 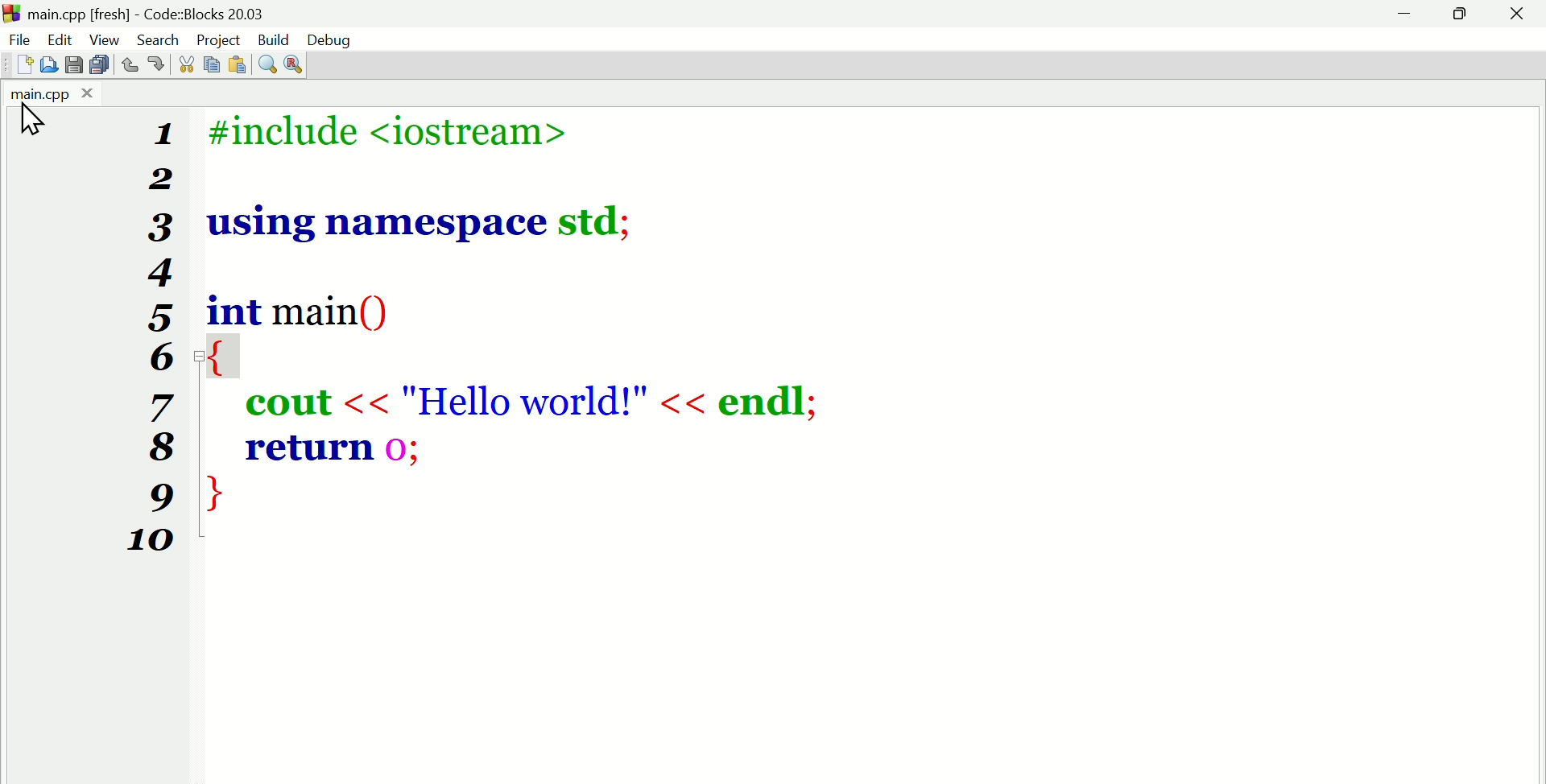 What do you see at coordinates (130, 66) in the screenshot?
I see `Undo` at bounding box center [130, 66].